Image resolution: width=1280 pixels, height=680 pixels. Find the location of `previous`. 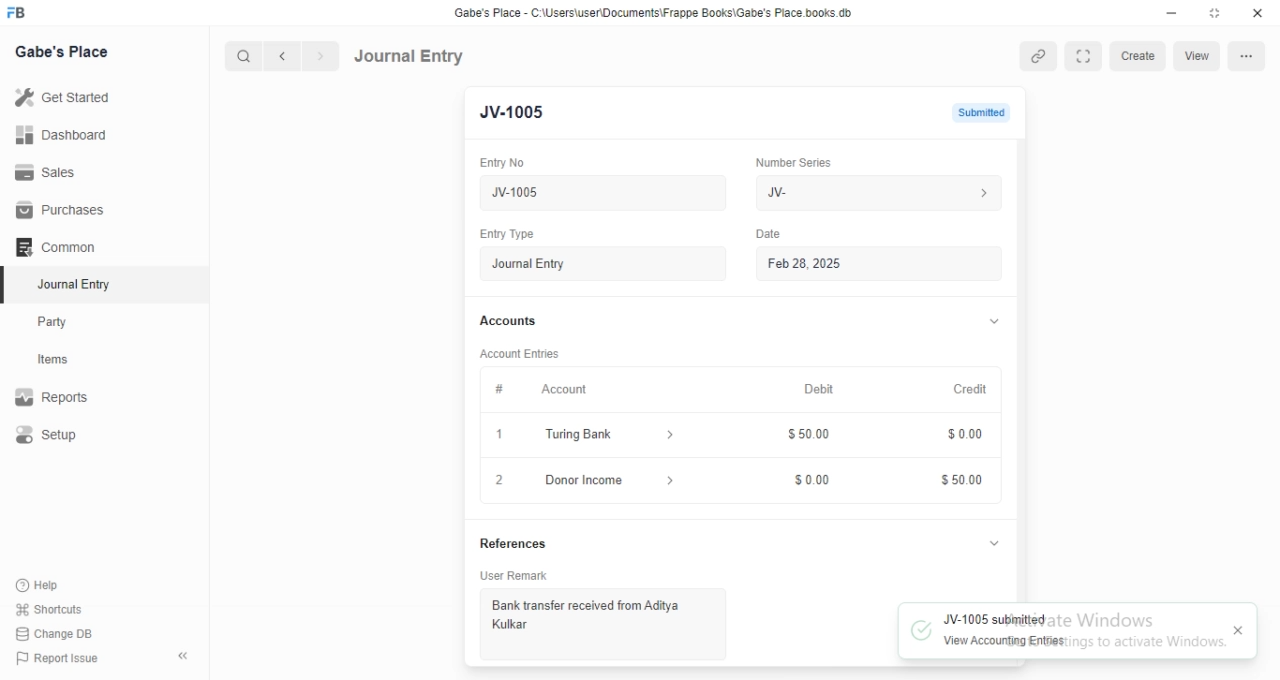

previous is located at coordinates (279, 56).